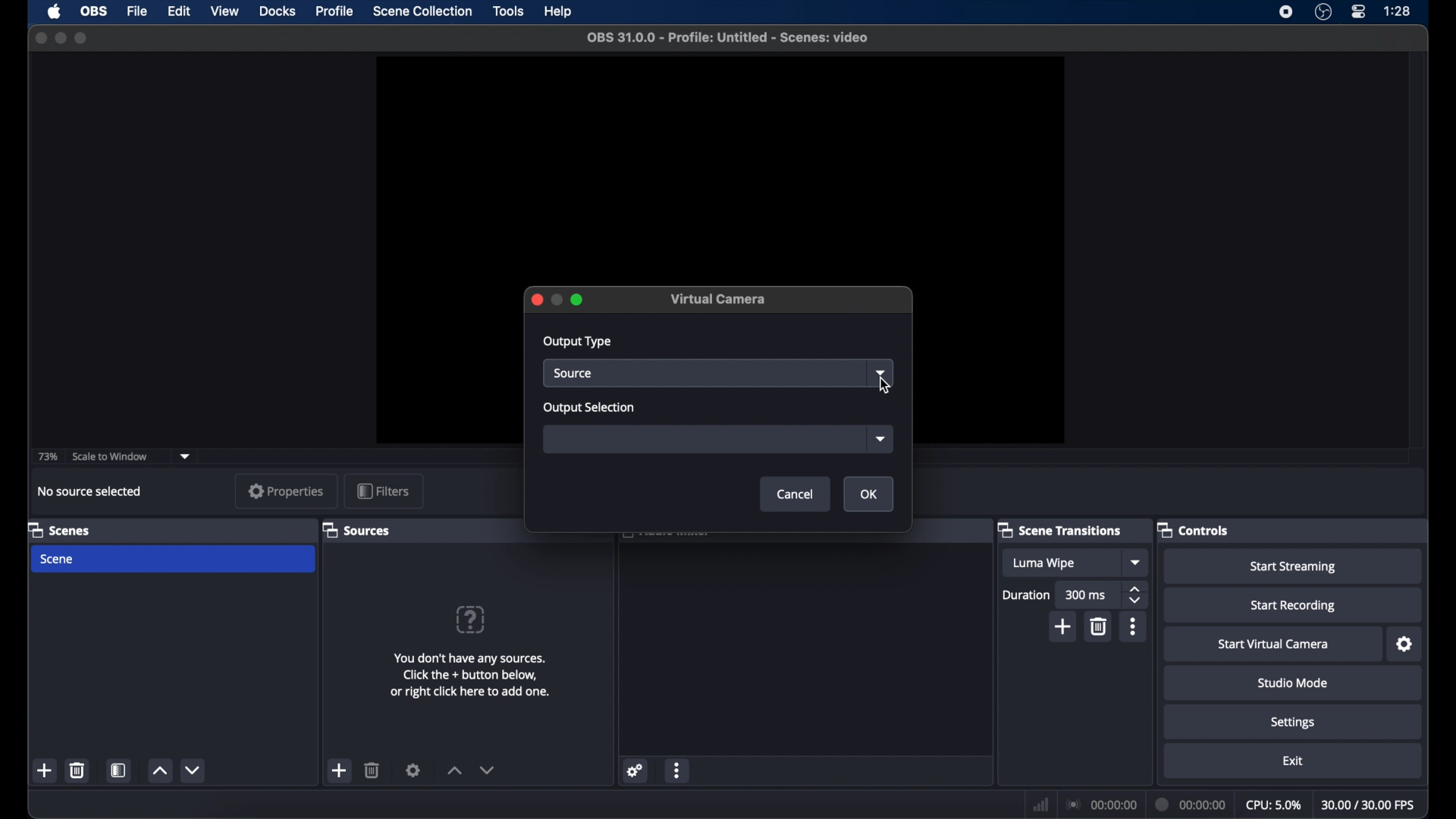  Describe the element at coordinates (1403, 644) in the screenshot. I see `settings` at that location.